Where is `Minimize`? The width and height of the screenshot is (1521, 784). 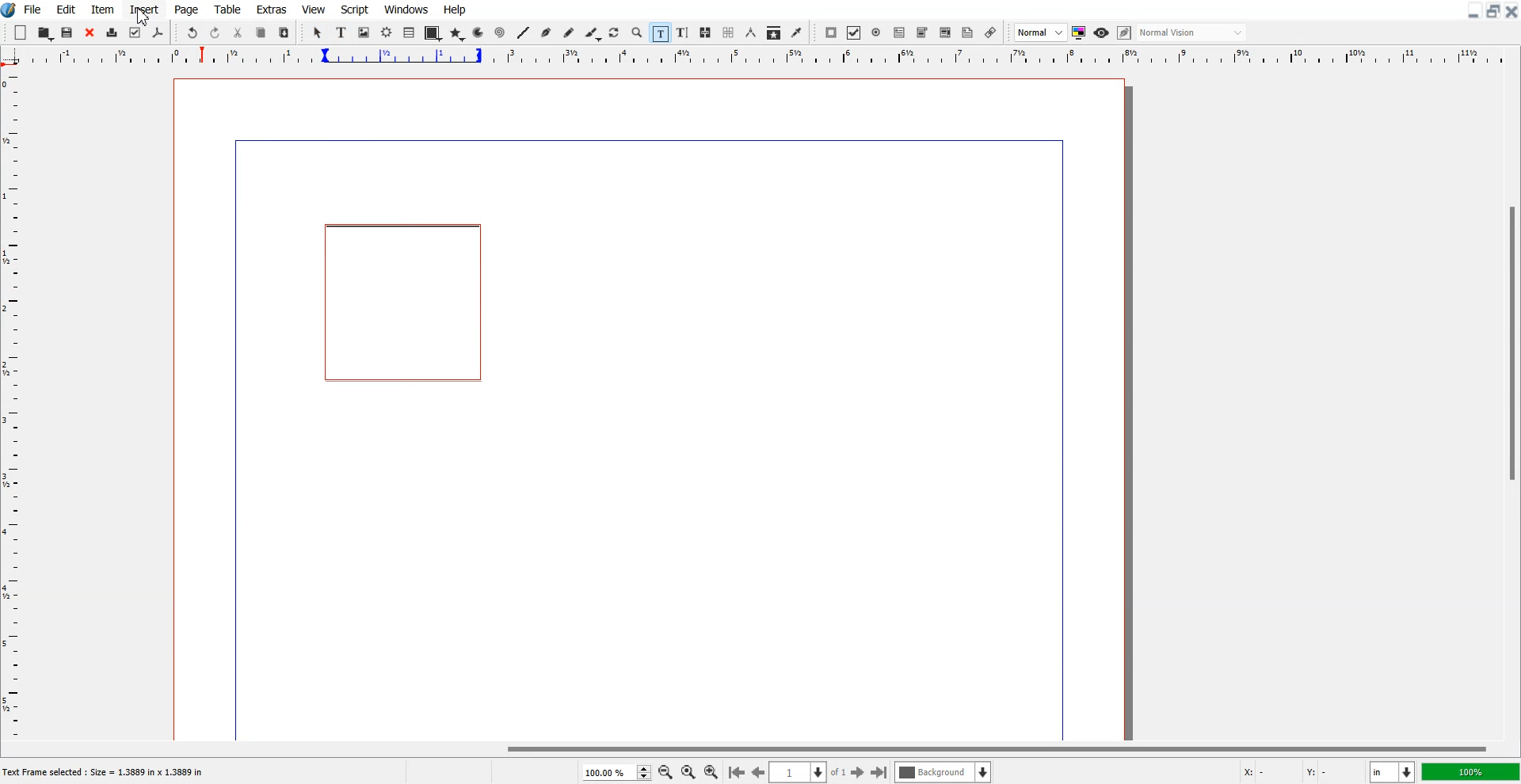
Minimize is located at coordinates (1474, 10).